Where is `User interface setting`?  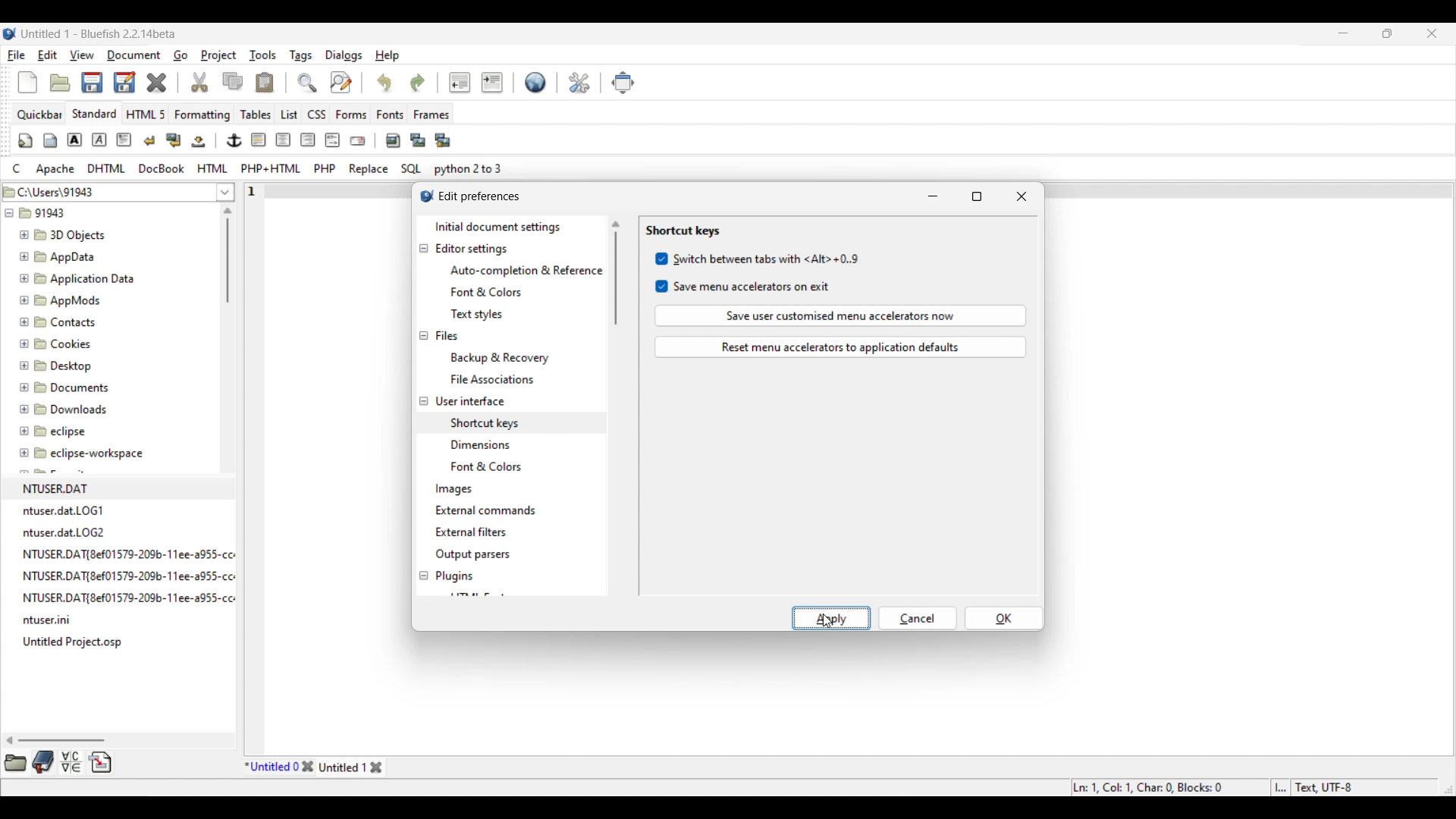
User interface setting is located at coordinates (470, 401).